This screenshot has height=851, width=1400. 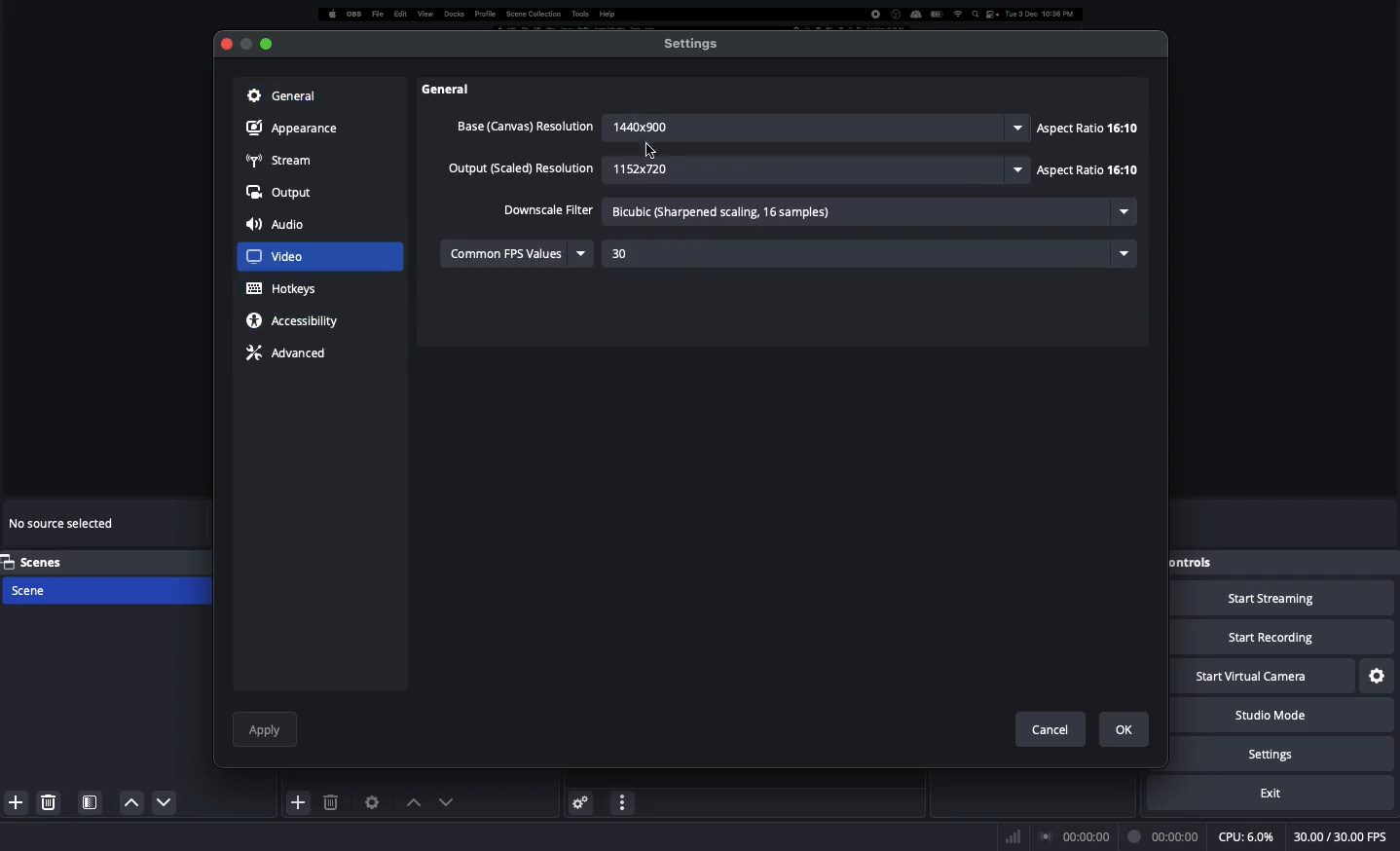 What do you see at coordinates (1014, 834) in the screenshot?
I see `Bars` at bounding box center [1014, 834].